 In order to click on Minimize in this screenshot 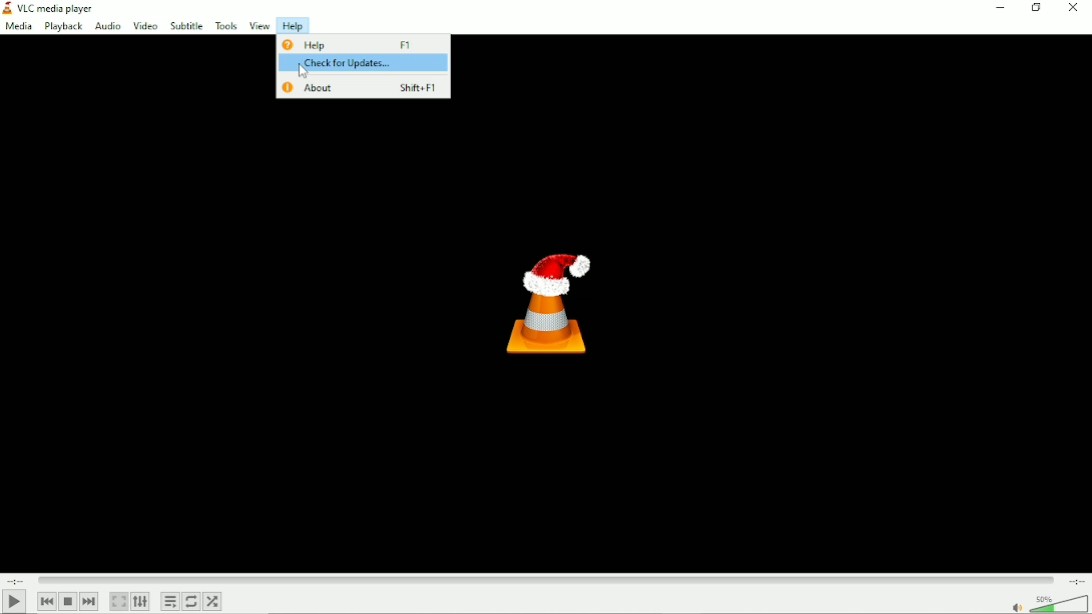, I will do `click(1000, 8)`.